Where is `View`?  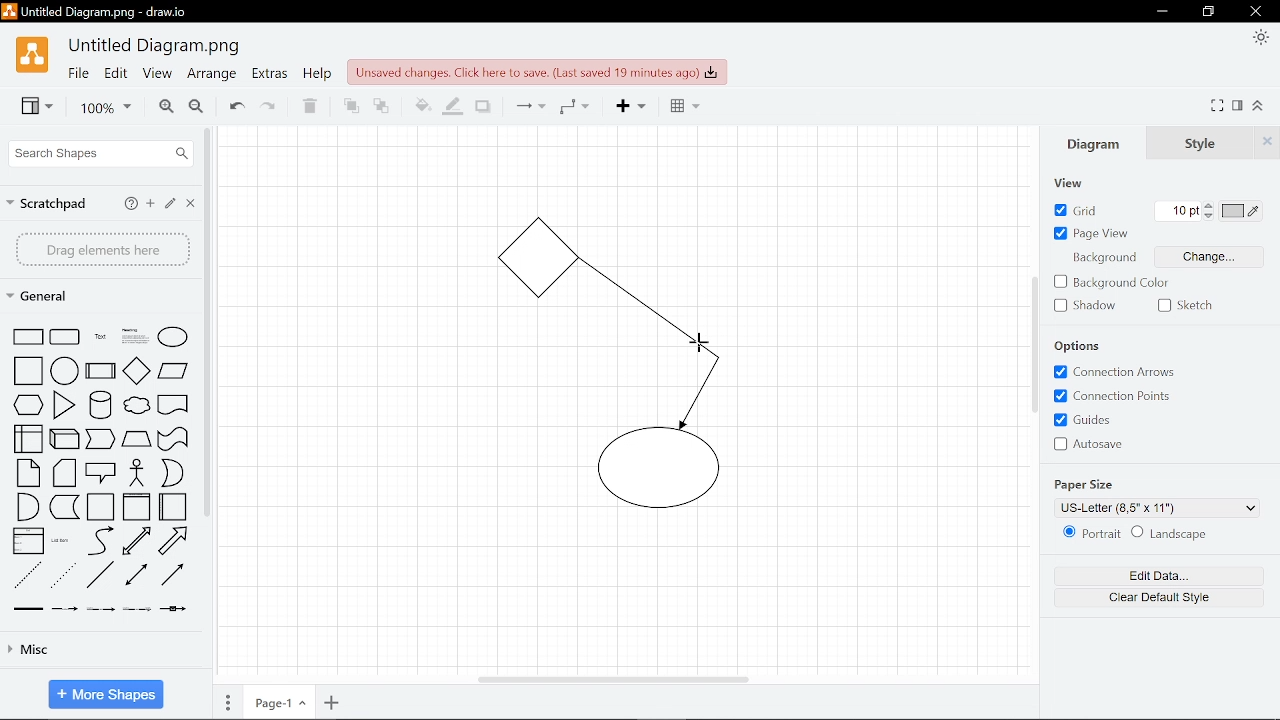
View is located at coordinates (30, 108).